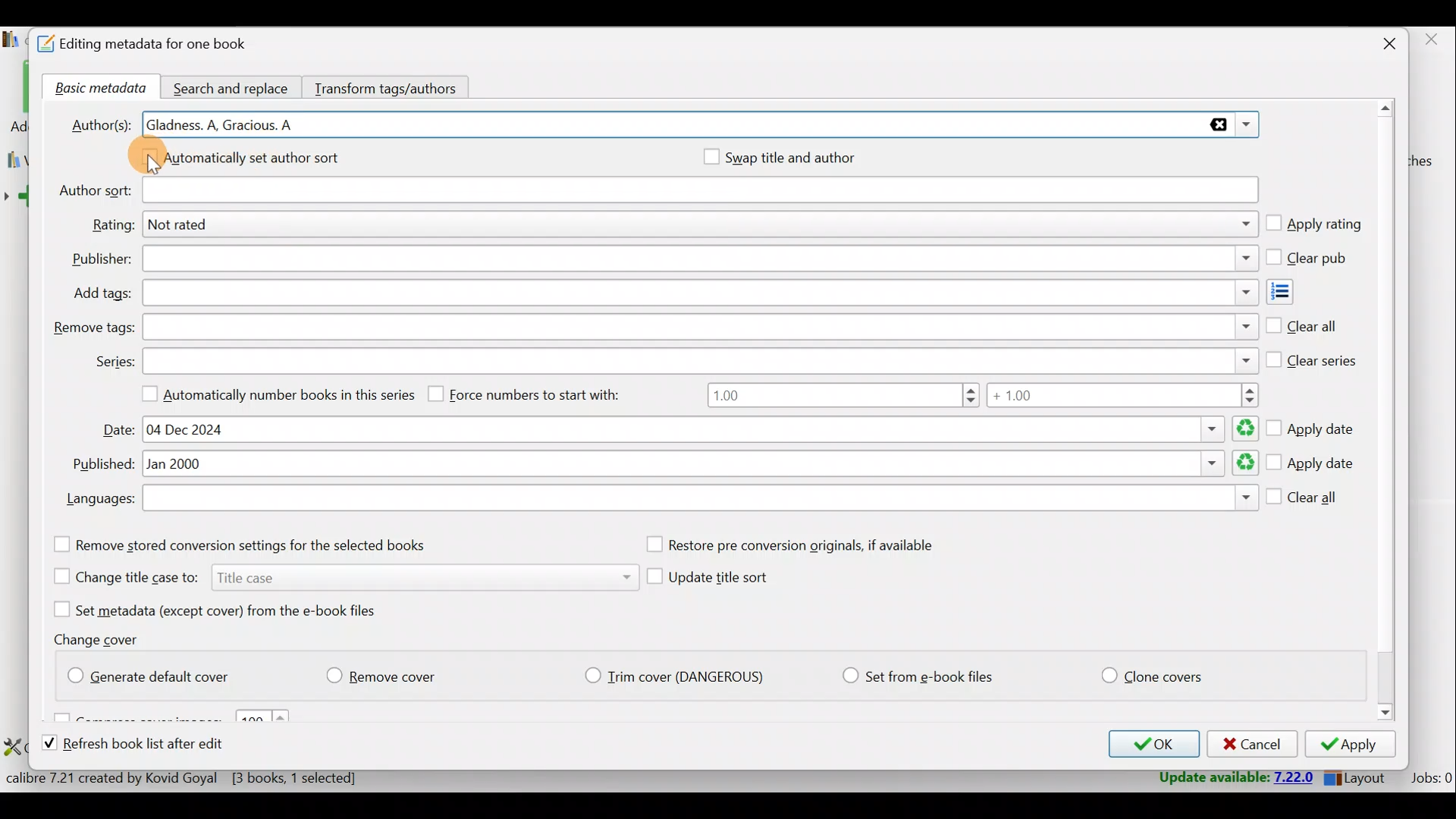  Describe the element at coordinates (272, 393) in the screenshot. I see `Automatically number books in this series` at that location.